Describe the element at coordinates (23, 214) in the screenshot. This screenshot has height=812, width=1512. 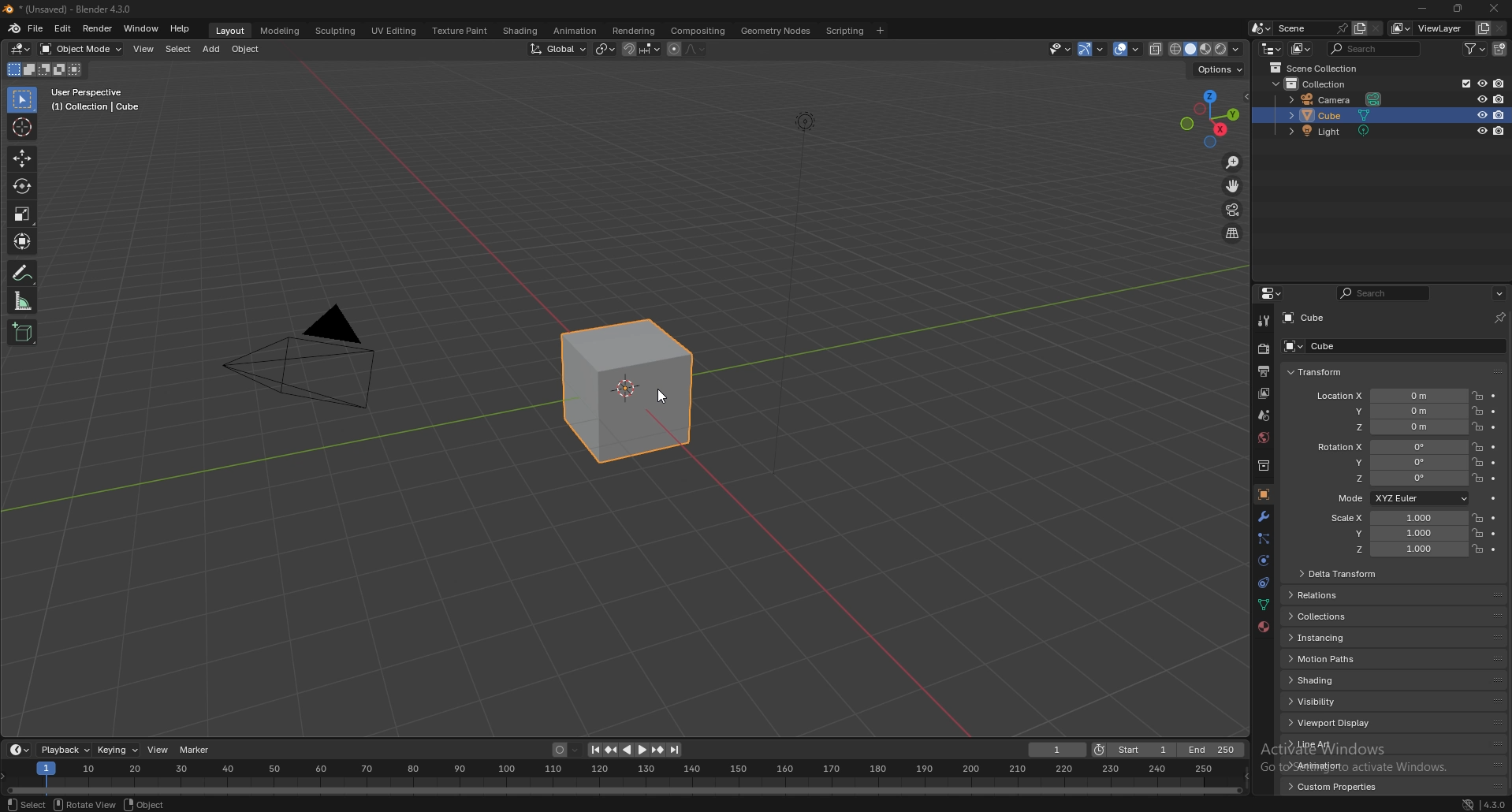
I see `scale` at that location.